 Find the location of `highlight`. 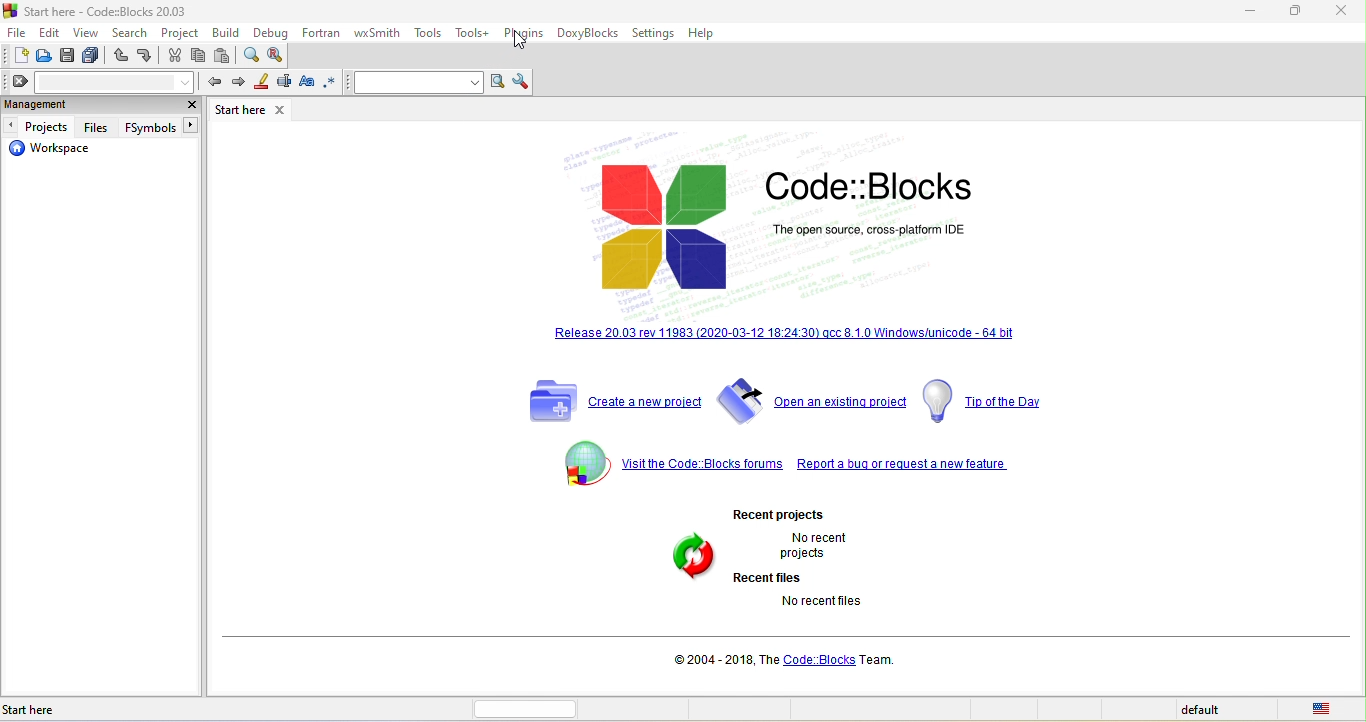

highlight is located at coordinates (259, 83).